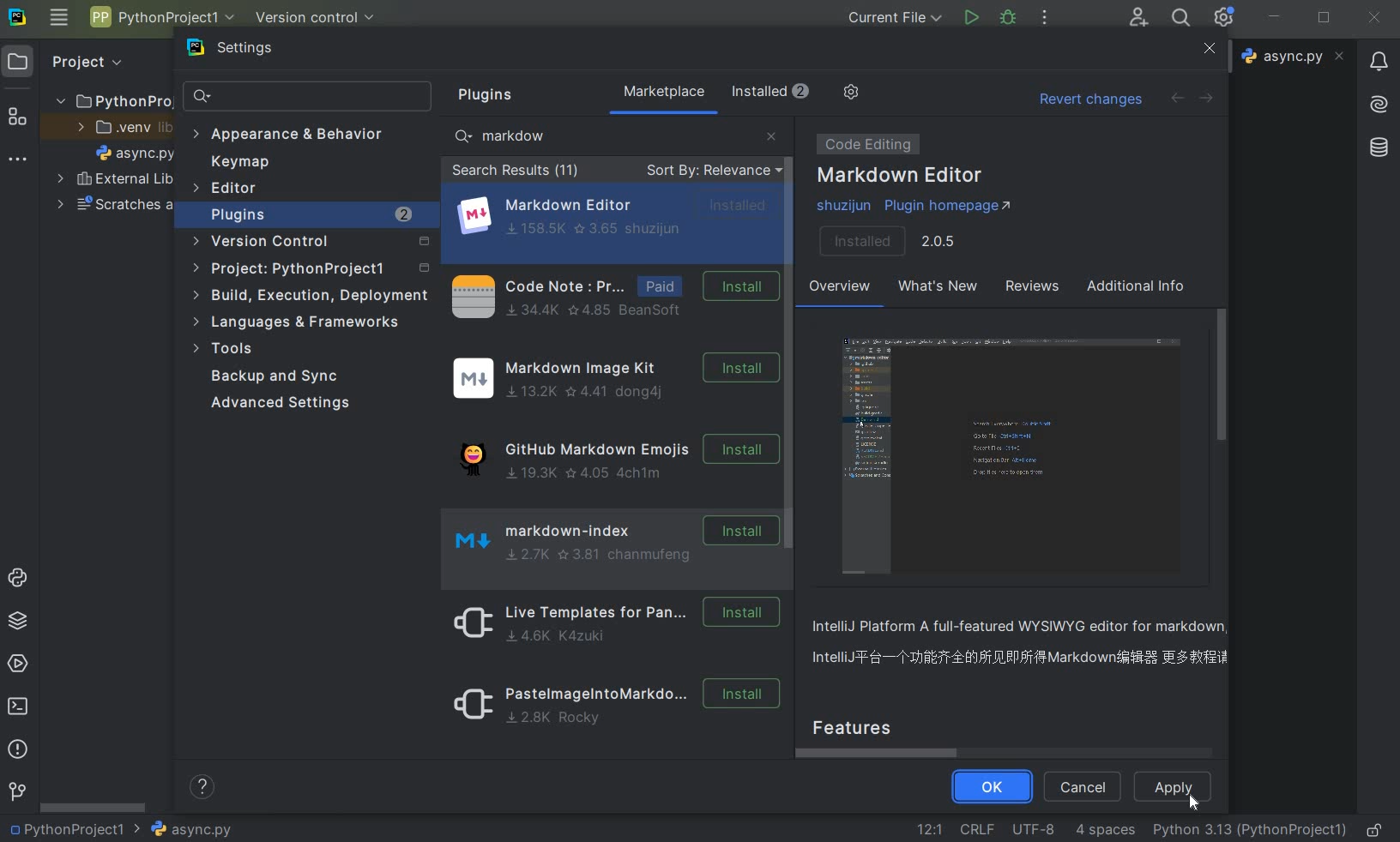 Image resolution: width=1400 pixels, height=842 pixels. Describe the element at coordinates (1250, 831) in the screenshot. I see `current interpreter` at that location.